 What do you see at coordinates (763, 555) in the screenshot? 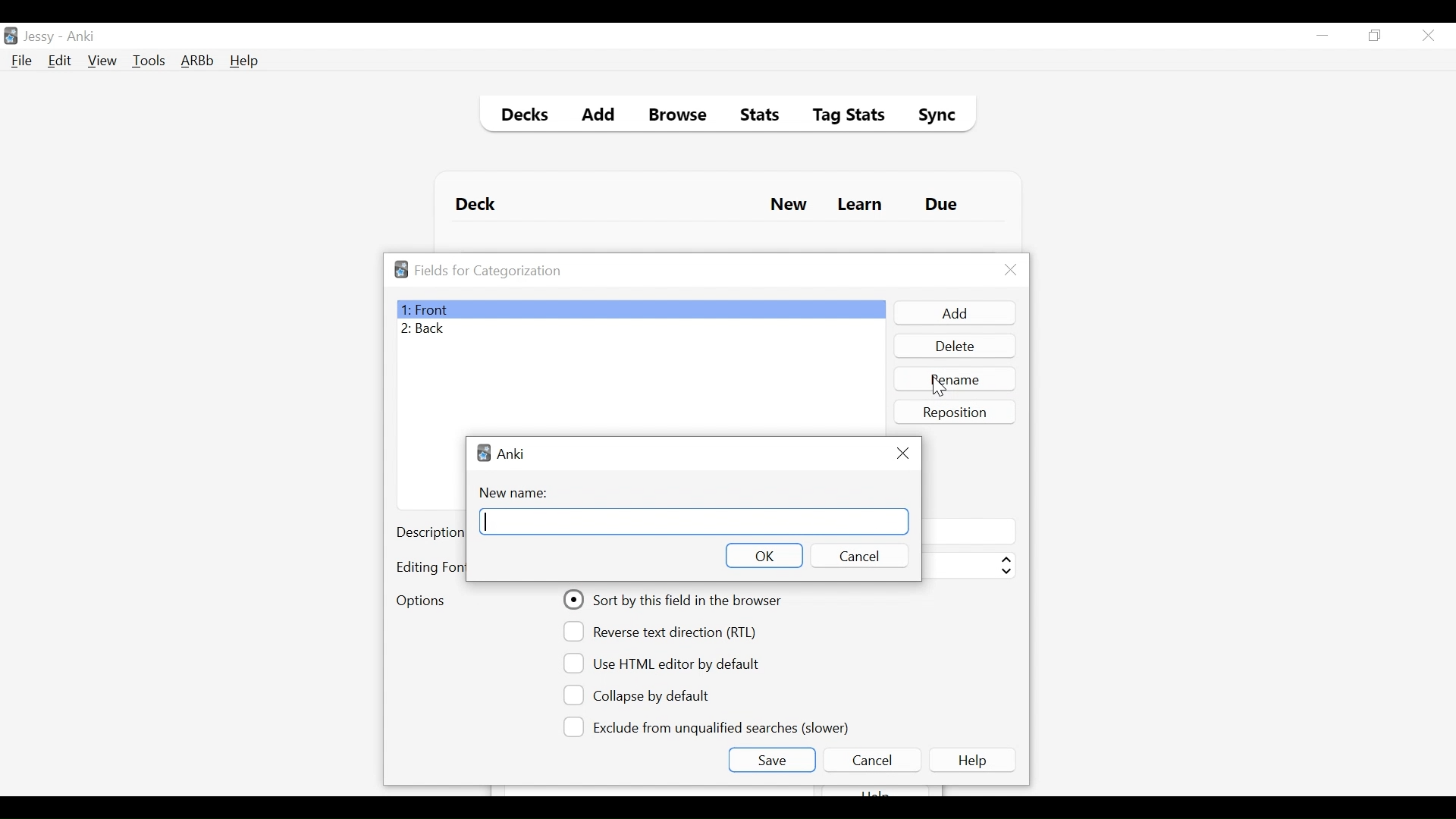
I see `OK` at bounding box center [763, 555].